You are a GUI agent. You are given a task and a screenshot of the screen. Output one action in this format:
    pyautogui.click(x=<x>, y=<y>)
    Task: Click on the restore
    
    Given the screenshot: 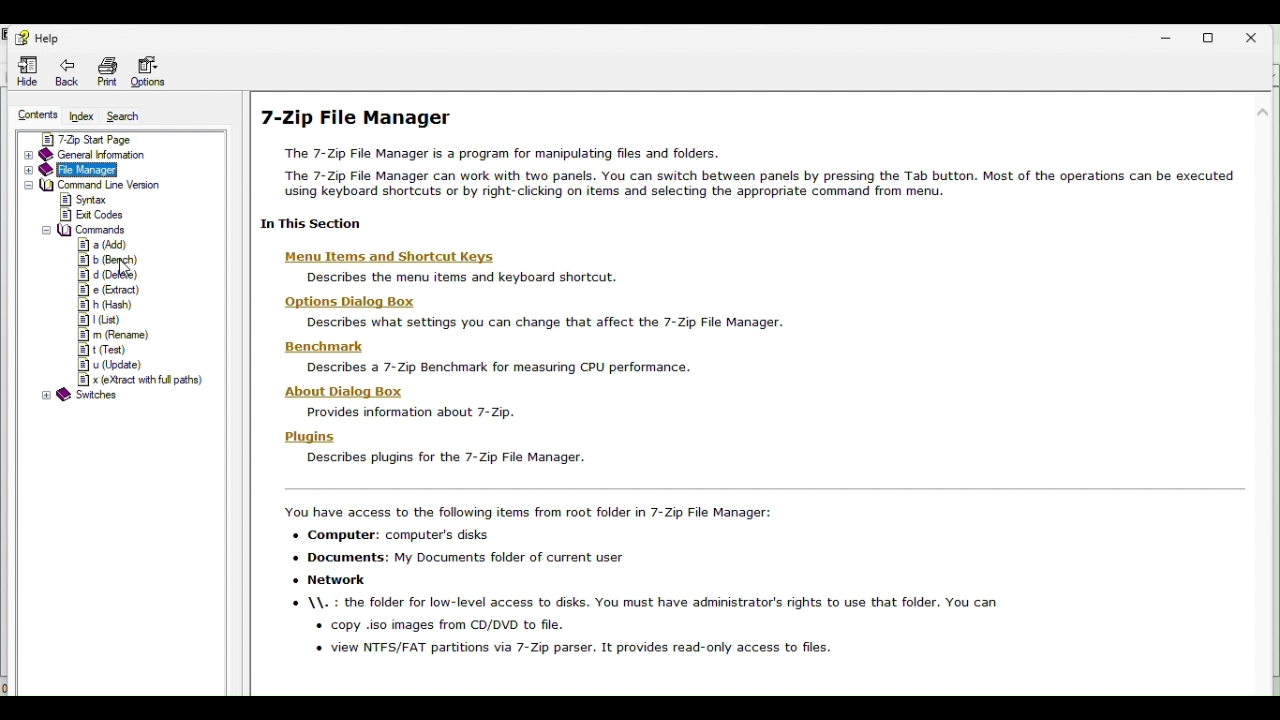 What is the action you would take?
    pyautogui.click(x=1215, y=35)
    